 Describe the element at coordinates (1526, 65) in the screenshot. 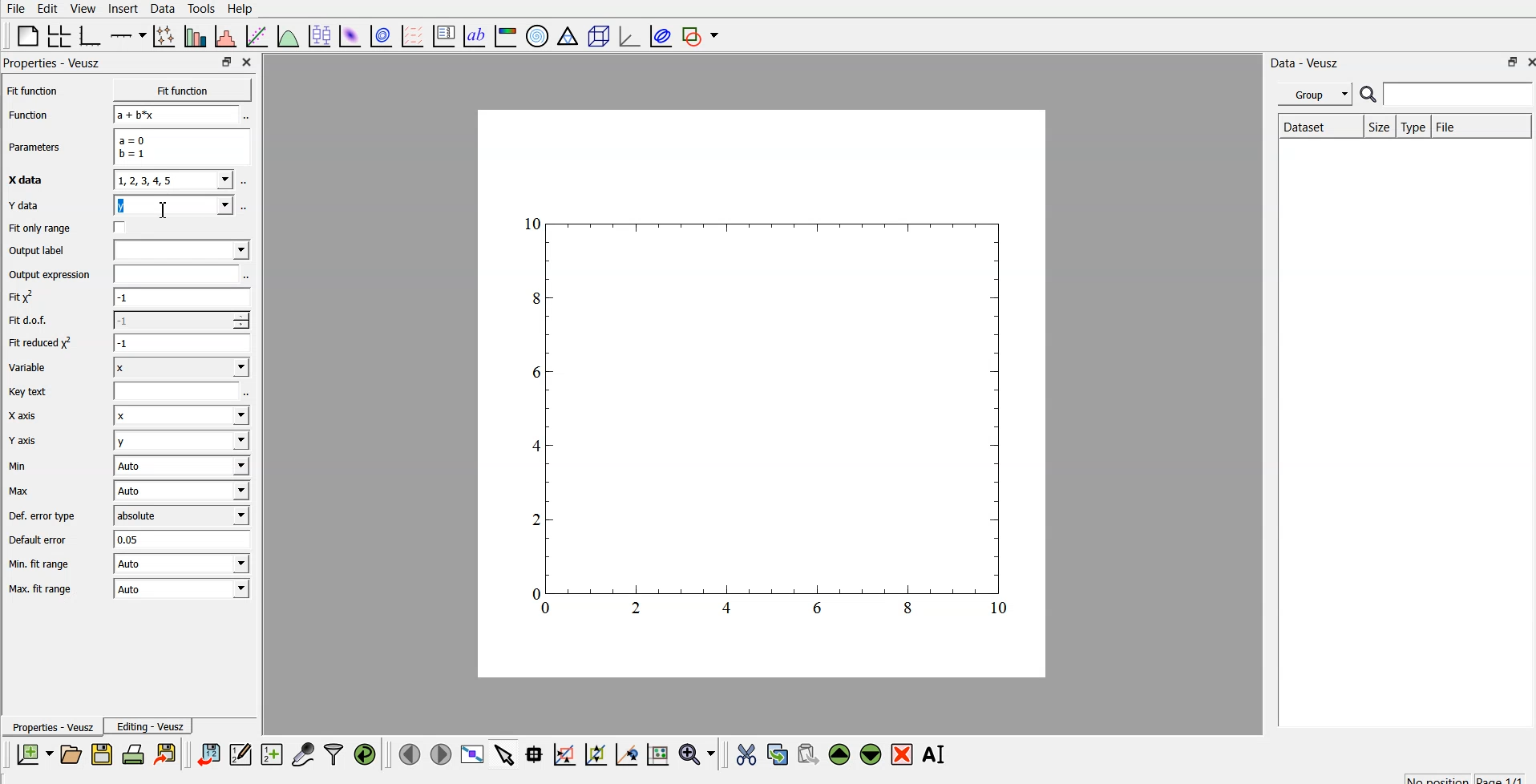

I see `close` at that location.